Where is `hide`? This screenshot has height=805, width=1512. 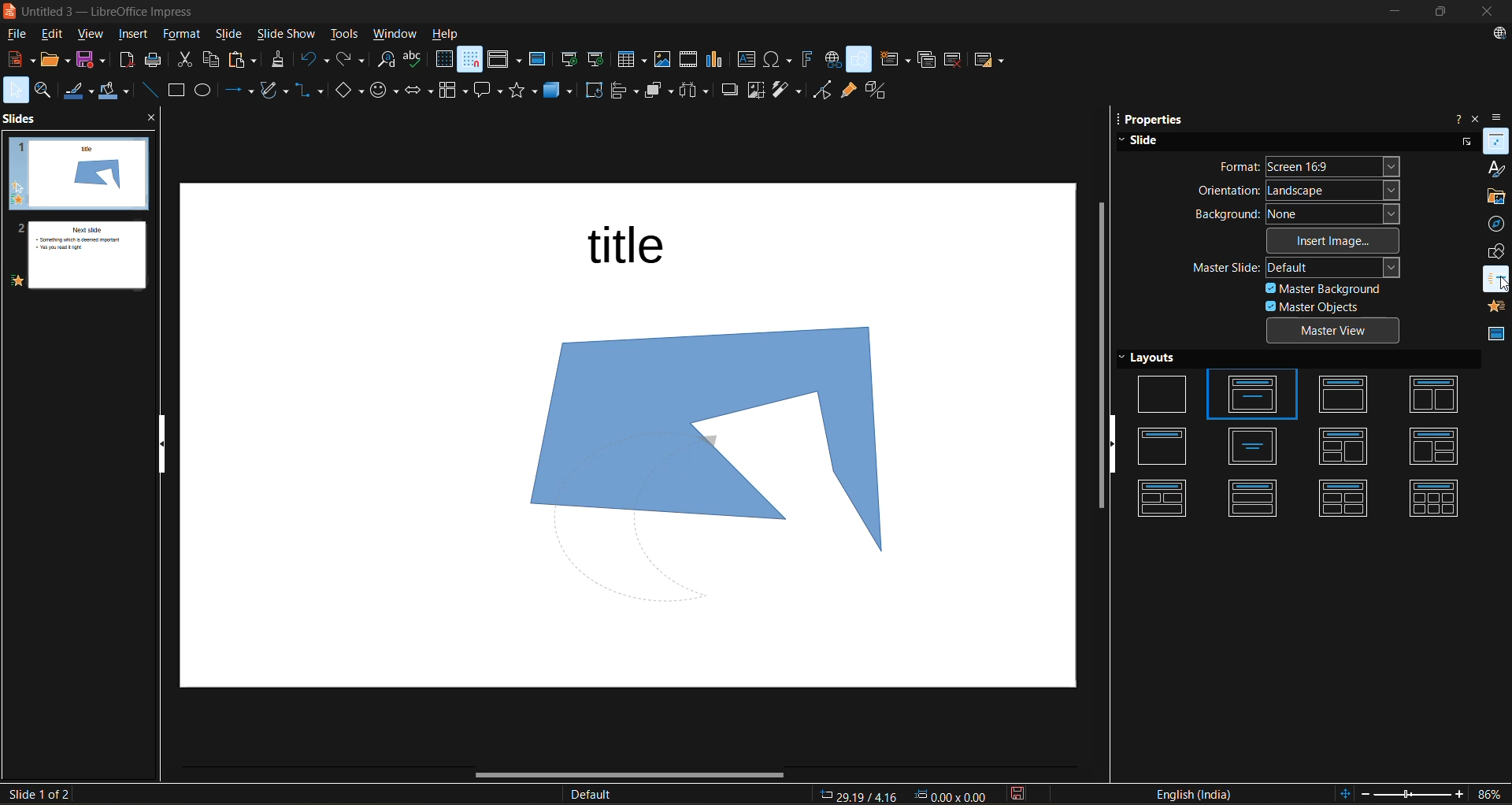
hide is located at coordinates (1115, 444).